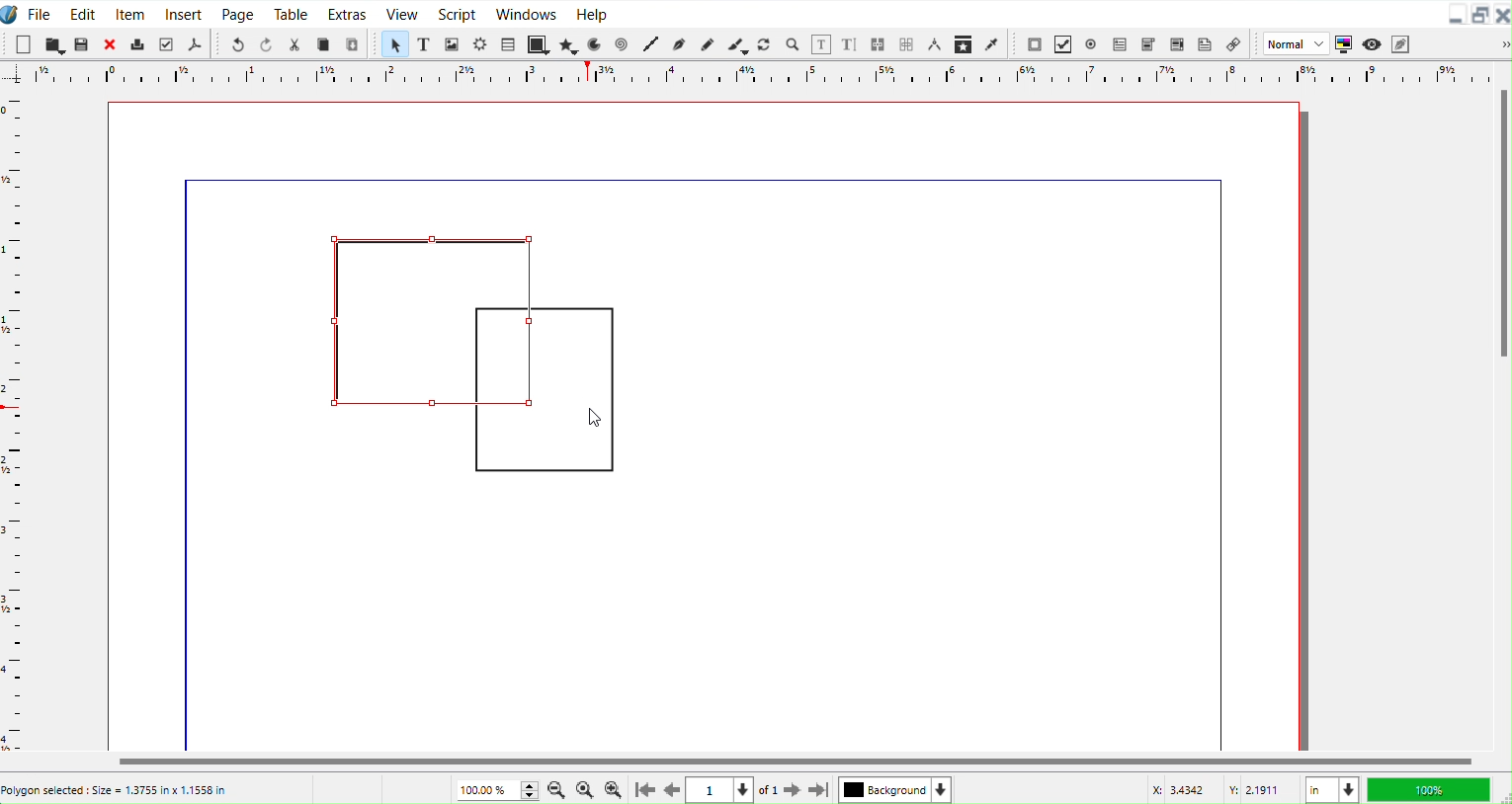  Describe the element at coordinates (673, 790) in the screenshot. I see `Go to previous Page` at that location.